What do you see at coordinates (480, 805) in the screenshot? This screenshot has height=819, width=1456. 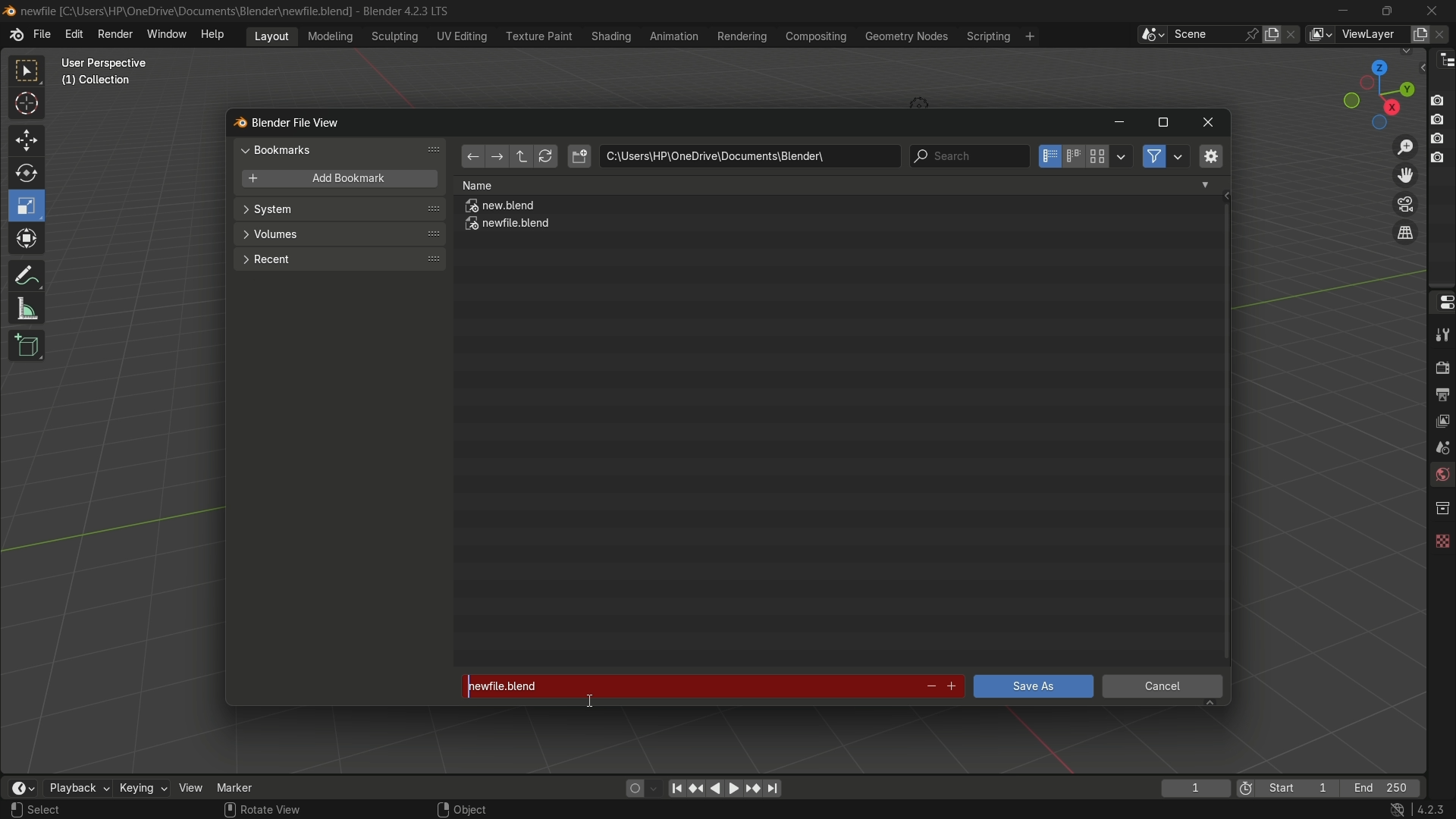 I see `Object` at bounding box center [480, 805].